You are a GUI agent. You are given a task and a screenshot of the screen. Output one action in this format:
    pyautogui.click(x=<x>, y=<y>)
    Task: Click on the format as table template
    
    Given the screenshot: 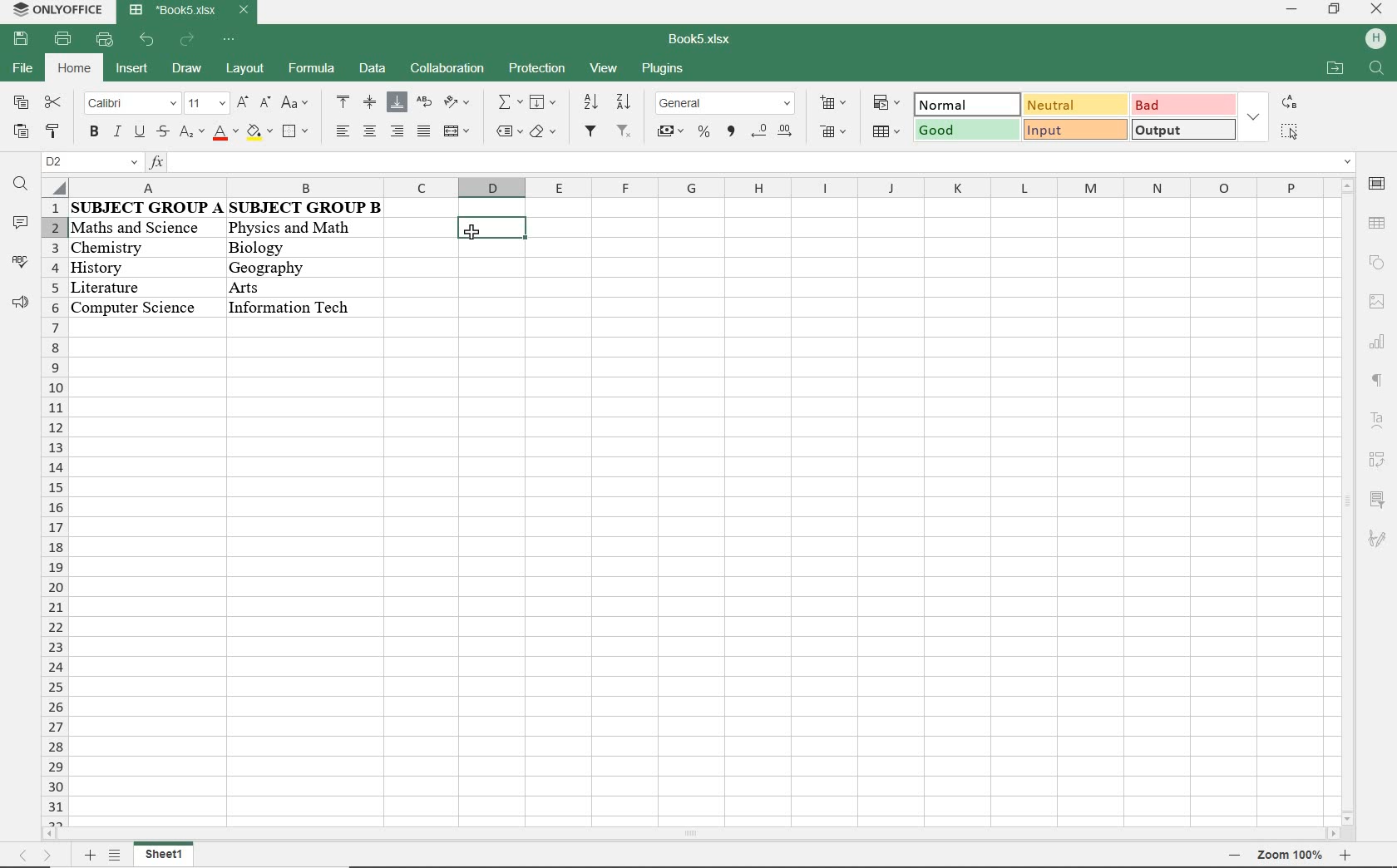 What is the action you would take?
    pyautogui.click(x=889, y=134)
    